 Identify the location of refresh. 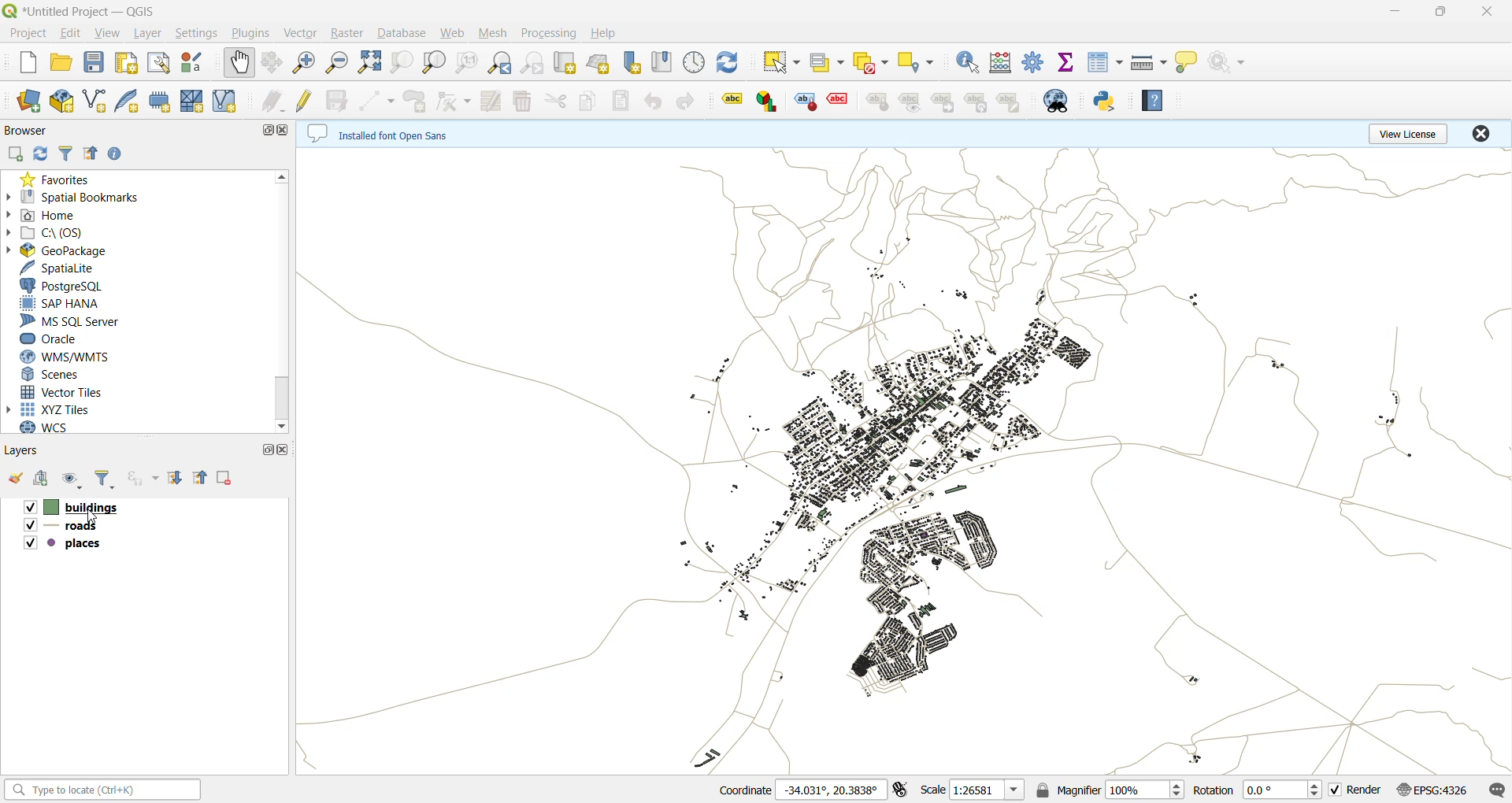
(736, 63).